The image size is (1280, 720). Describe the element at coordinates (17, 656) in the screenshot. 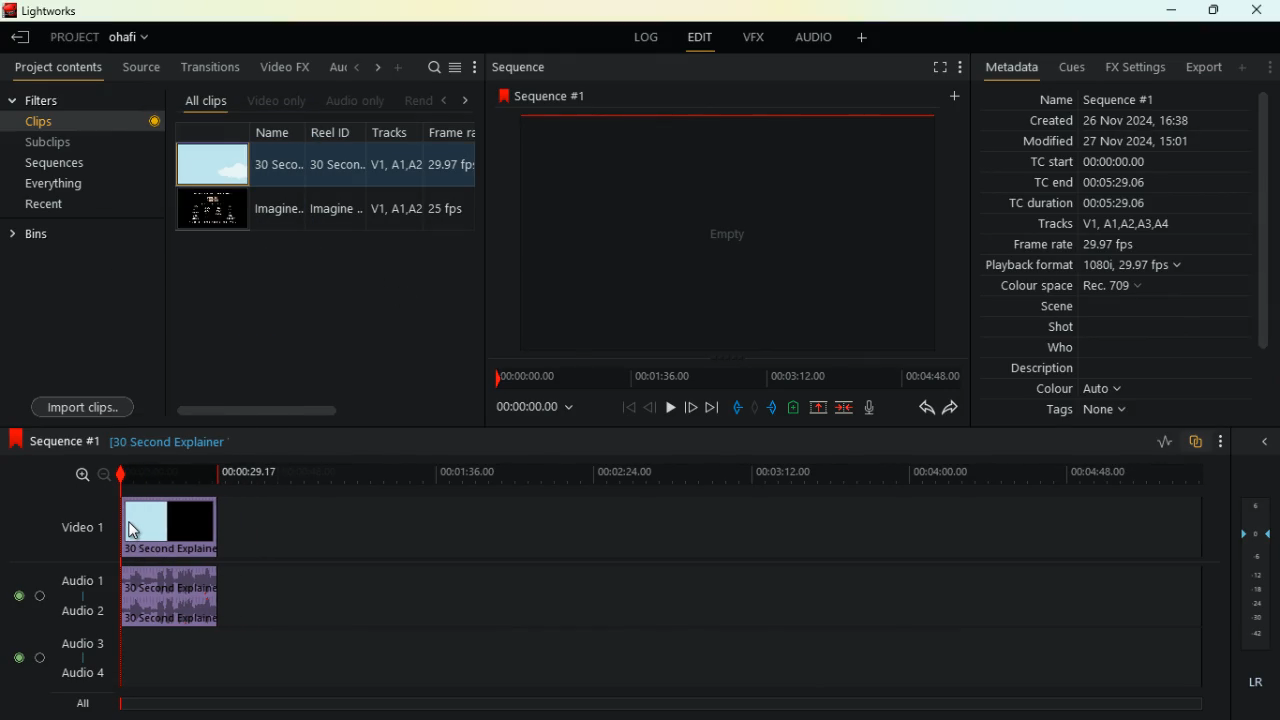

I see `toggle` at that location.